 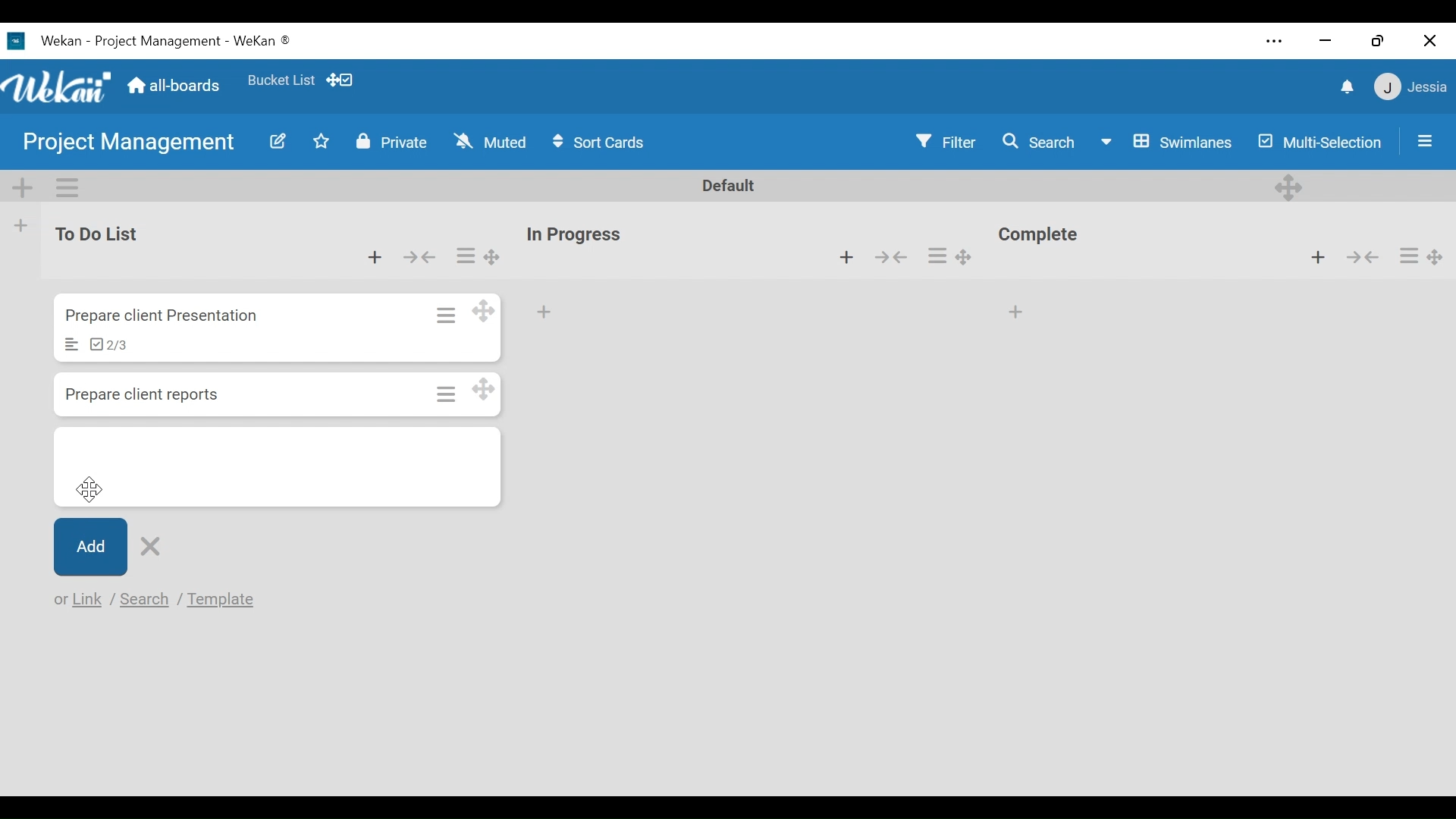 What do you see at coordinates (102, 234) in the screenshot?
I see `to do list` at bounding box center [102, 234].